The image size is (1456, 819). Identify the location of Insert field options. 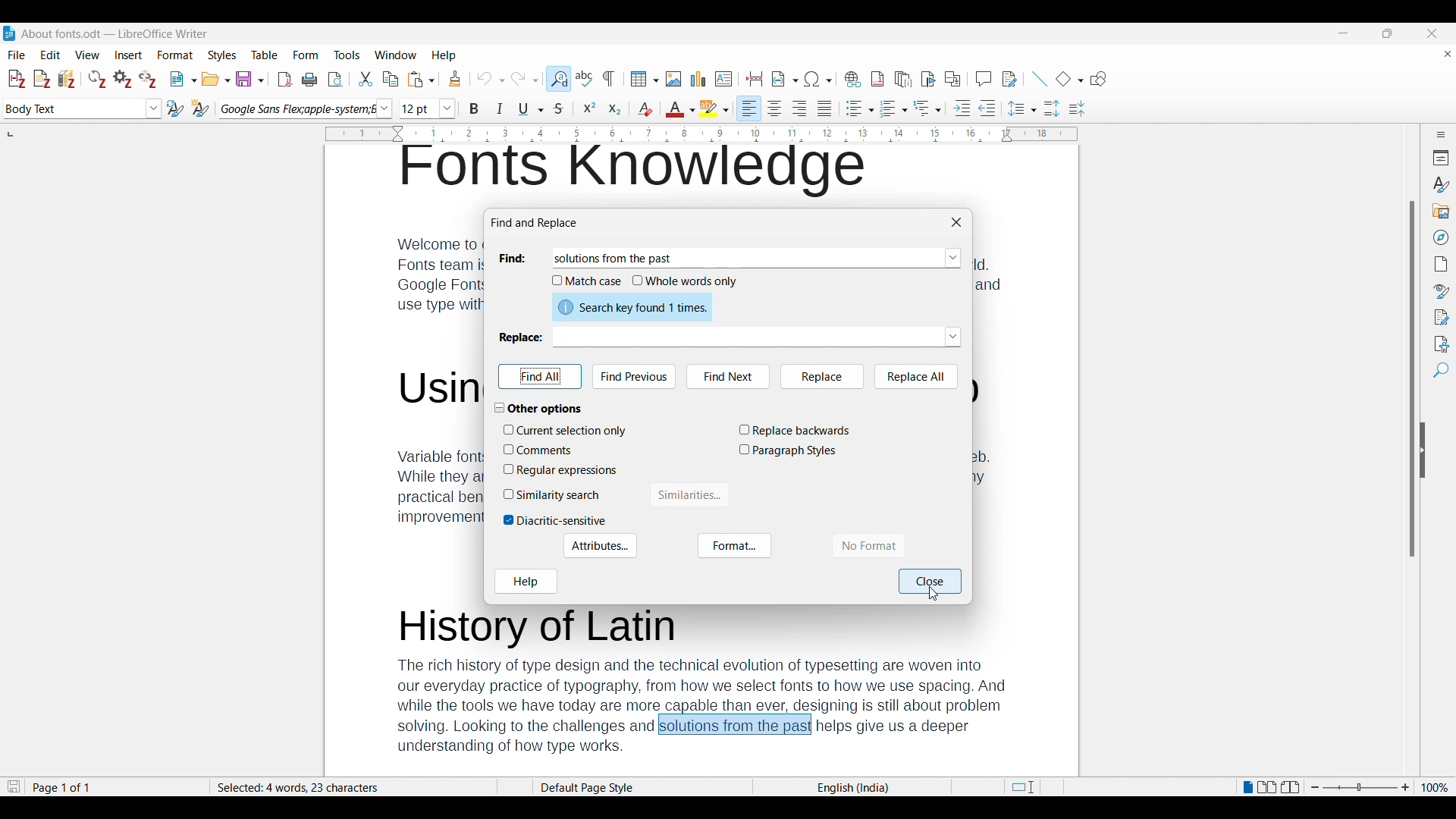
(785, 79).